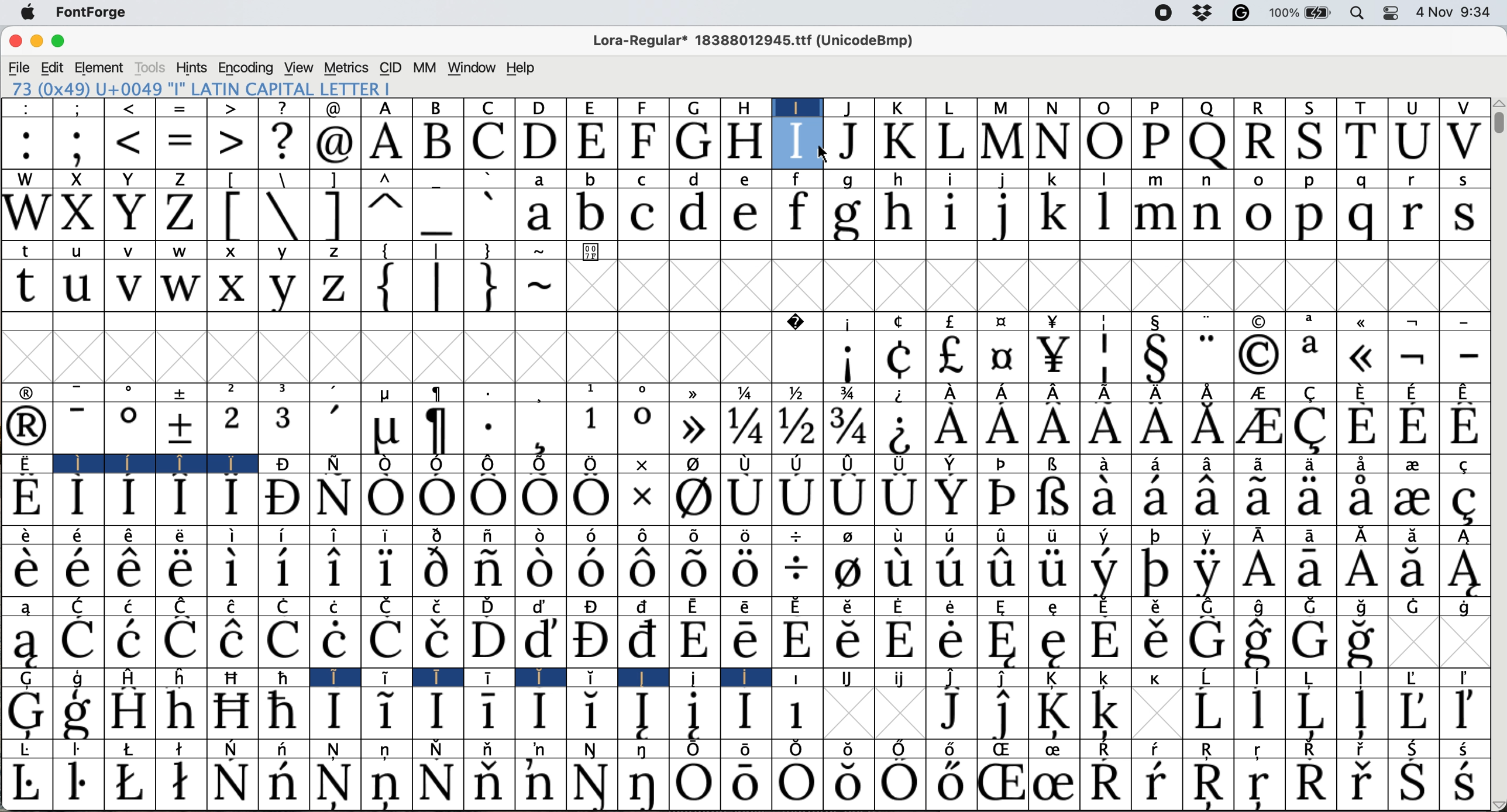 The height and width of the screenshot is (812, 1507). Describe the element at coordinates (1465, 712) in the screenshot. I see `Symbol` at that location.